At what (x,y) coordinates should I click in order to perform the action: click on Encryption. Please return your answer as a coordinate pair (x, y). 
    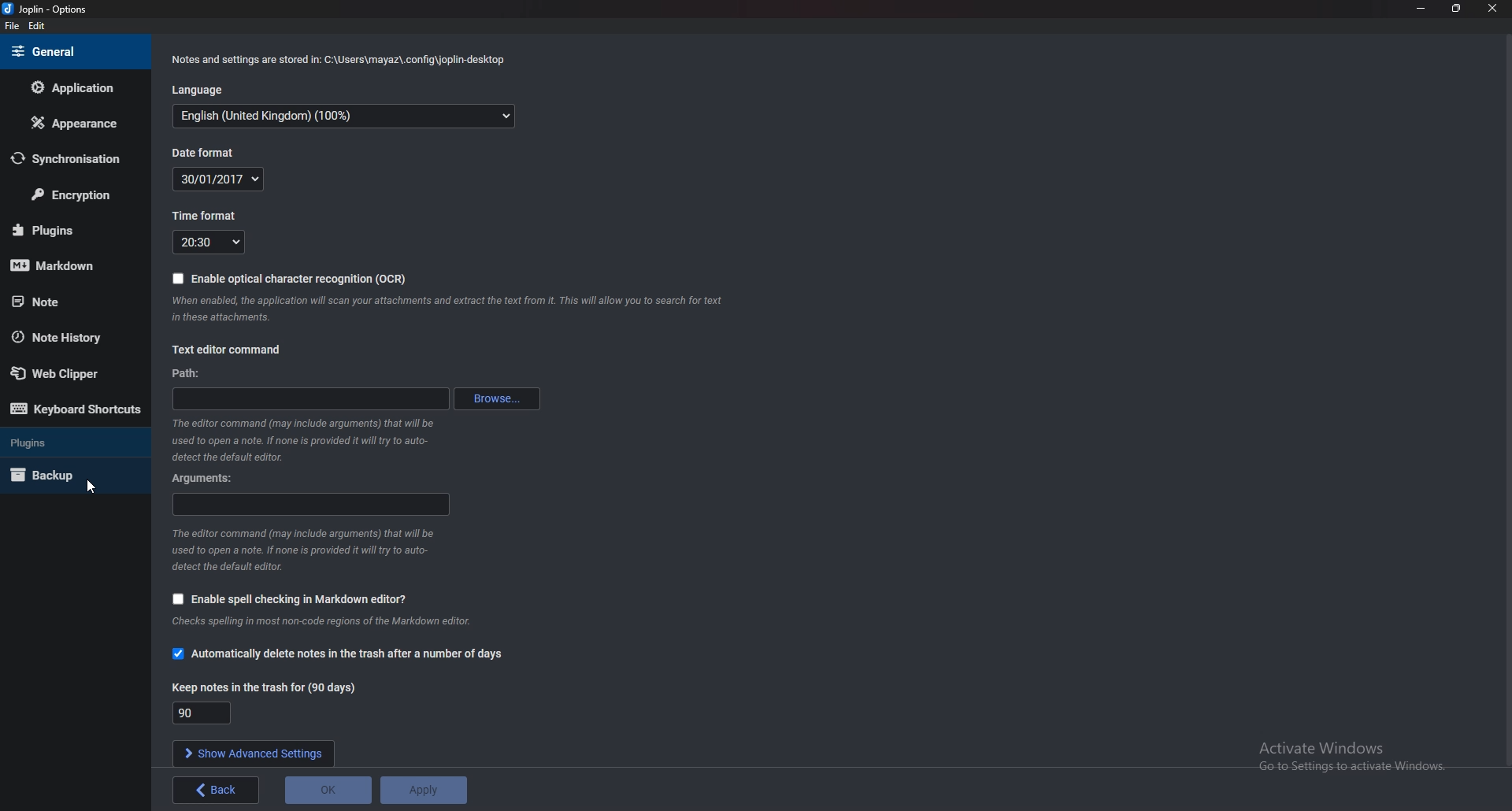
    Looking at the image, I should click on (73, 194).